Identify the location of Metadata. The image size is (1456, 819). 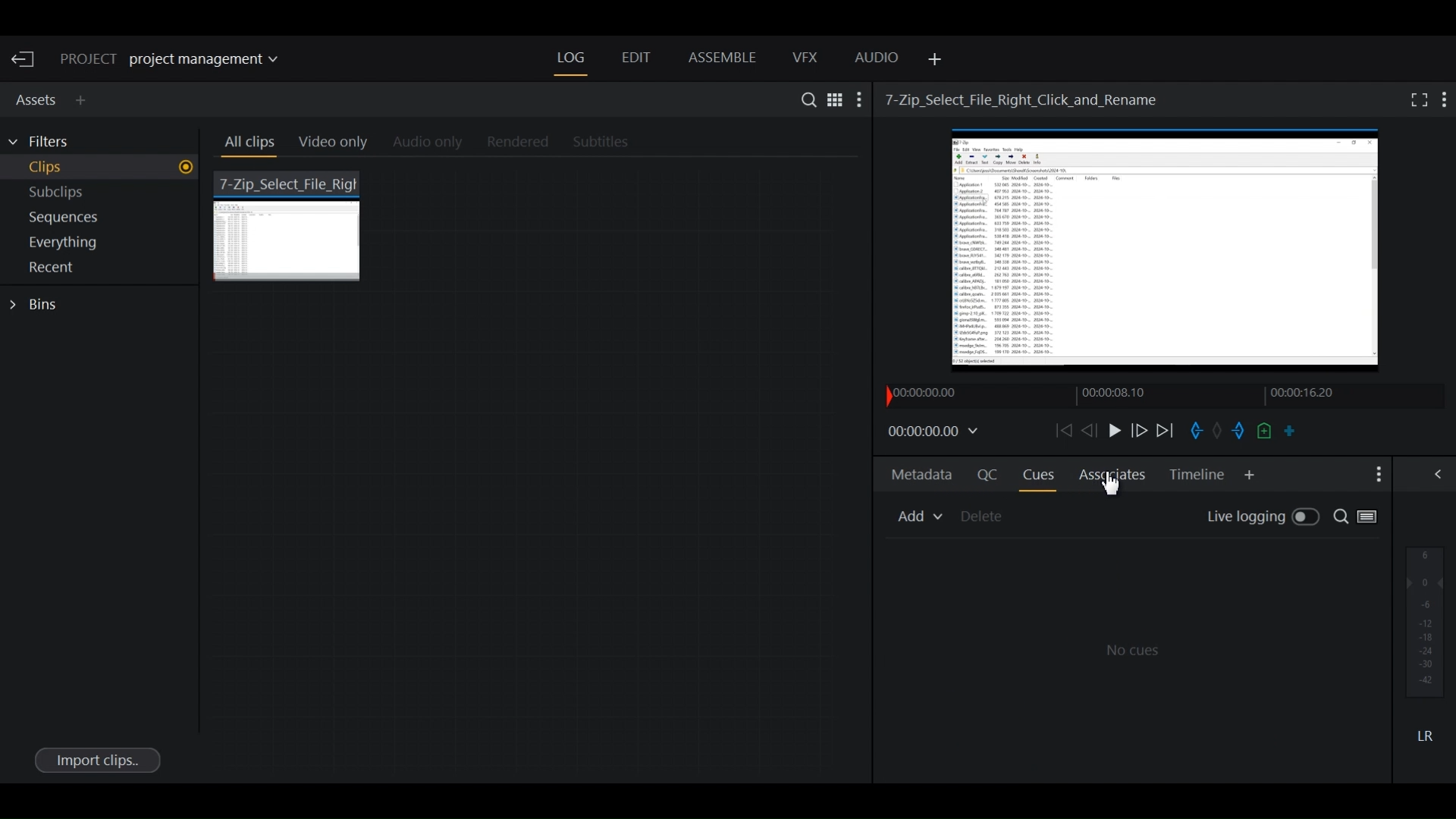
(922, 477).